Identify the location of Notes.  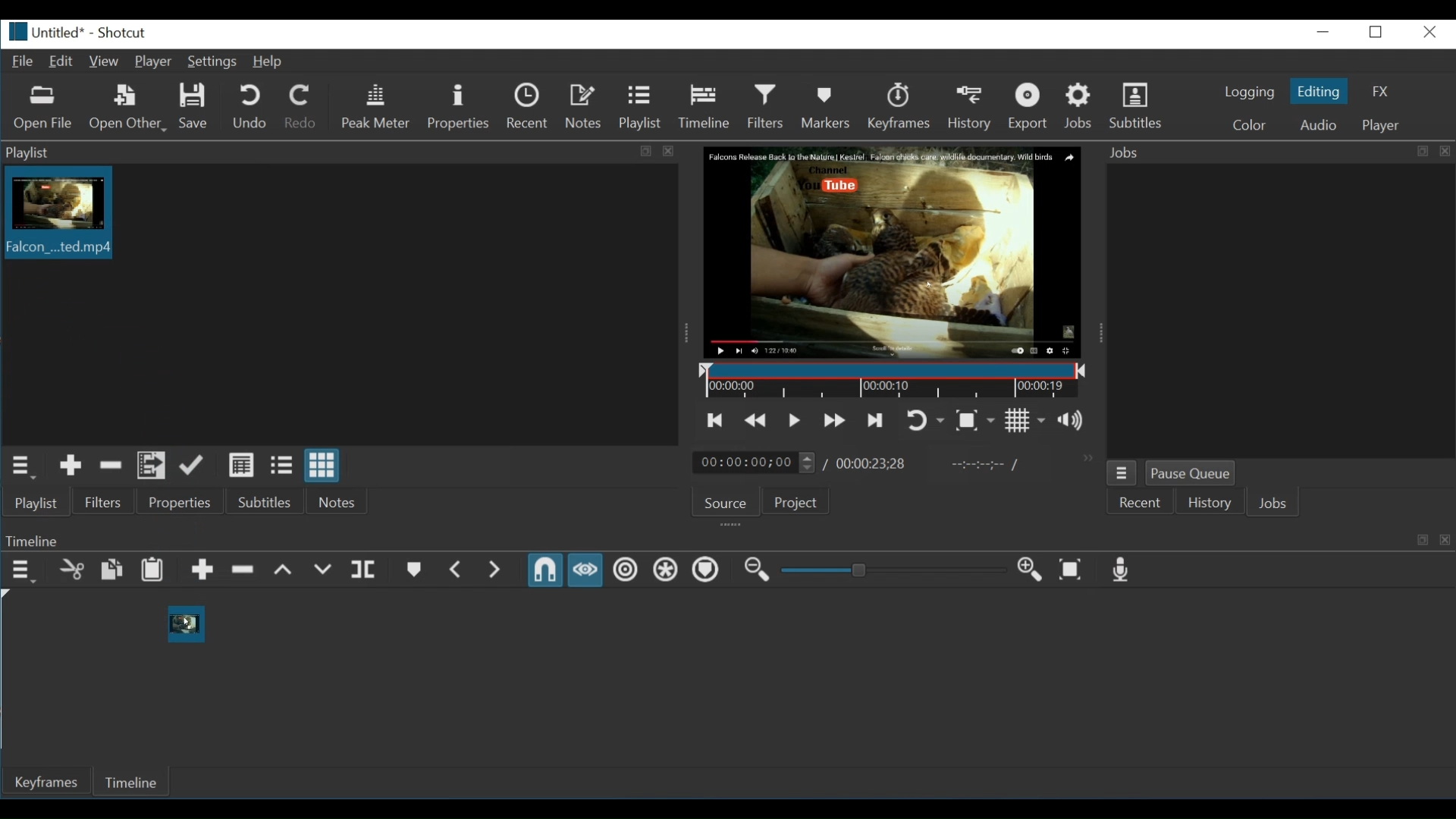
(338, 500).